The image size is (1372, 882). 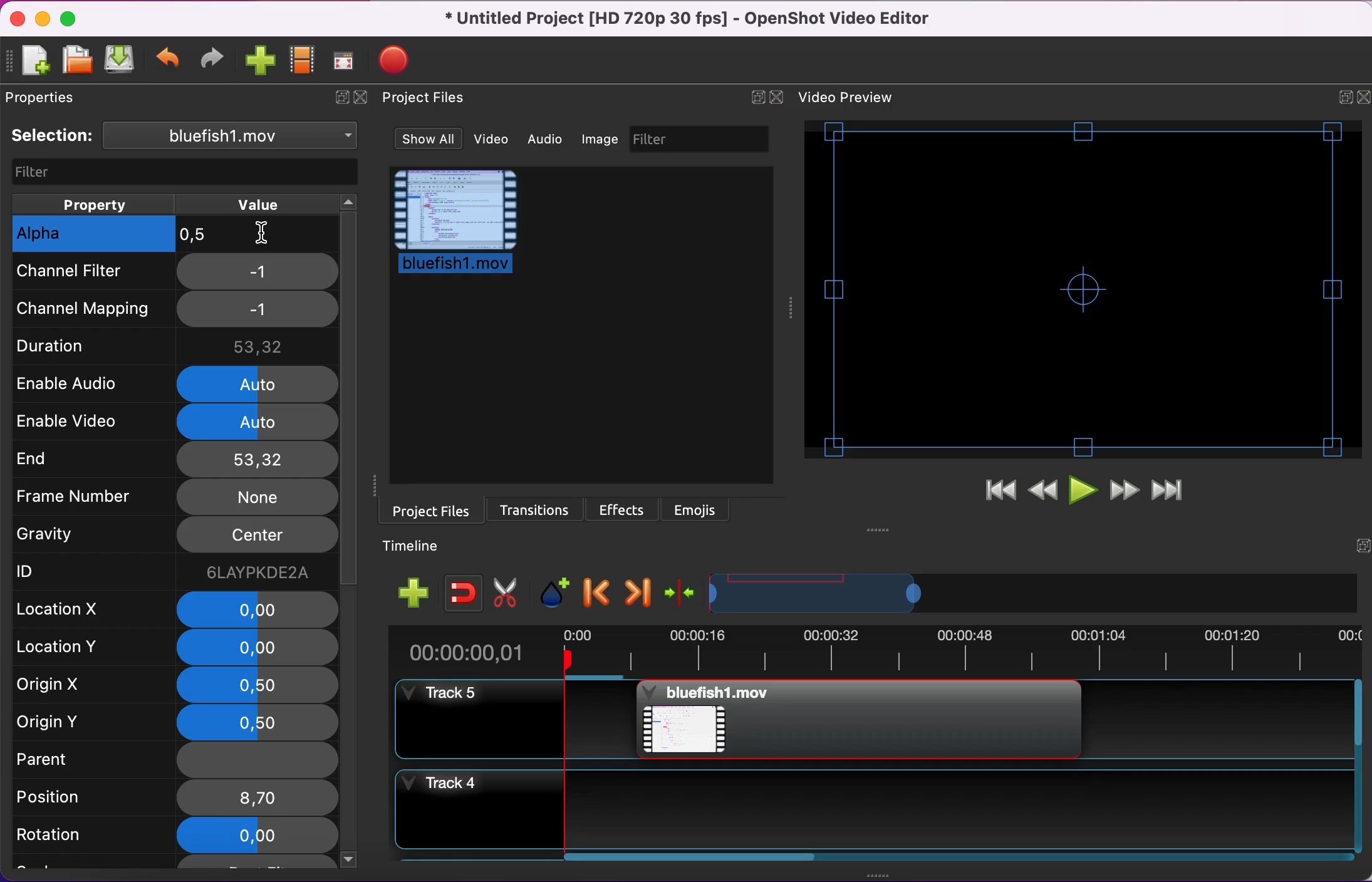 What do you see at coordinates (254, 836) in the screenshot?
I see `0` at bounding box center [254, 836].